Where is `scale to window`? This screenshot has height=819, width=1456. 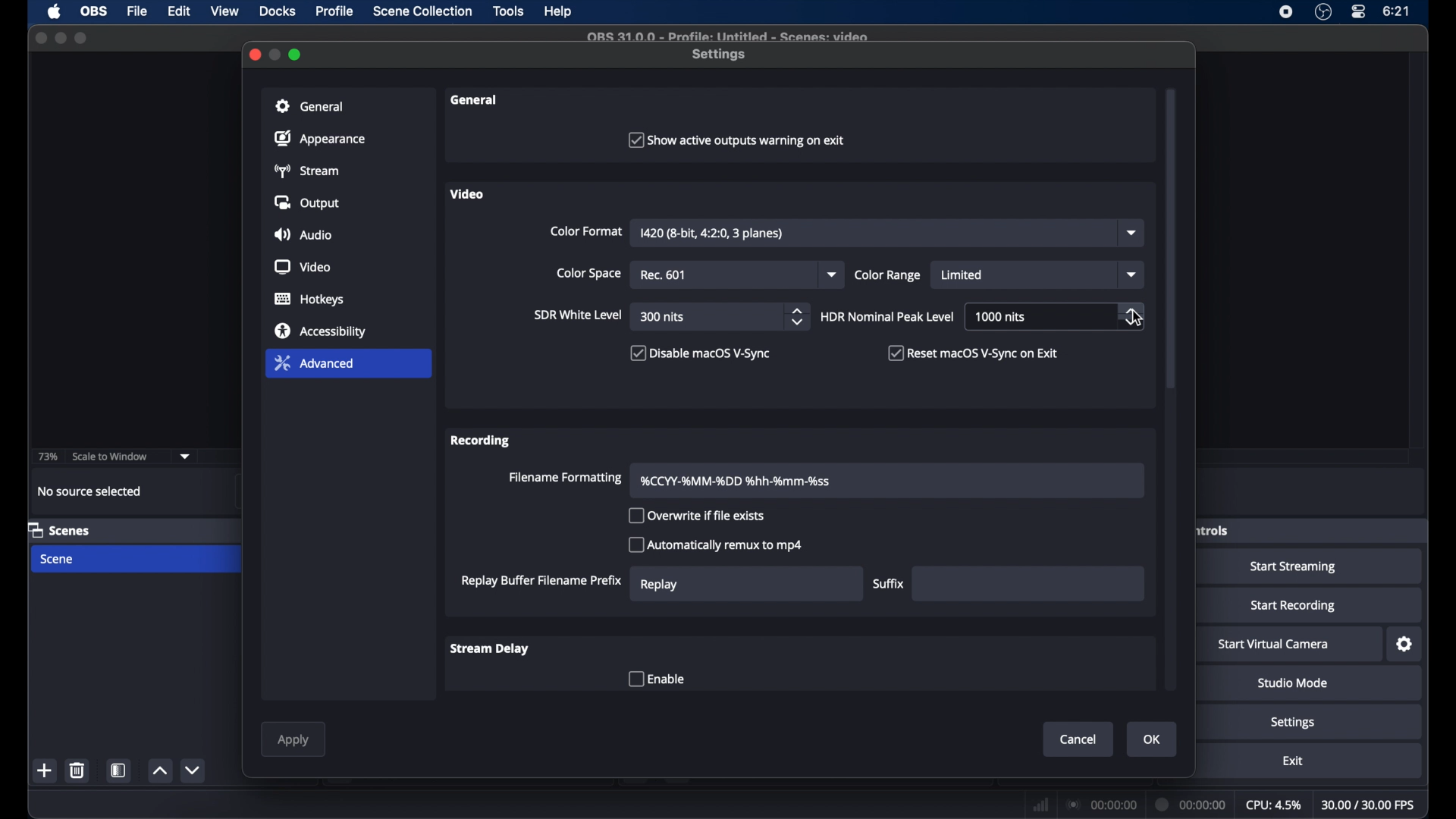 scale to window is located at coordinates (111, 455).